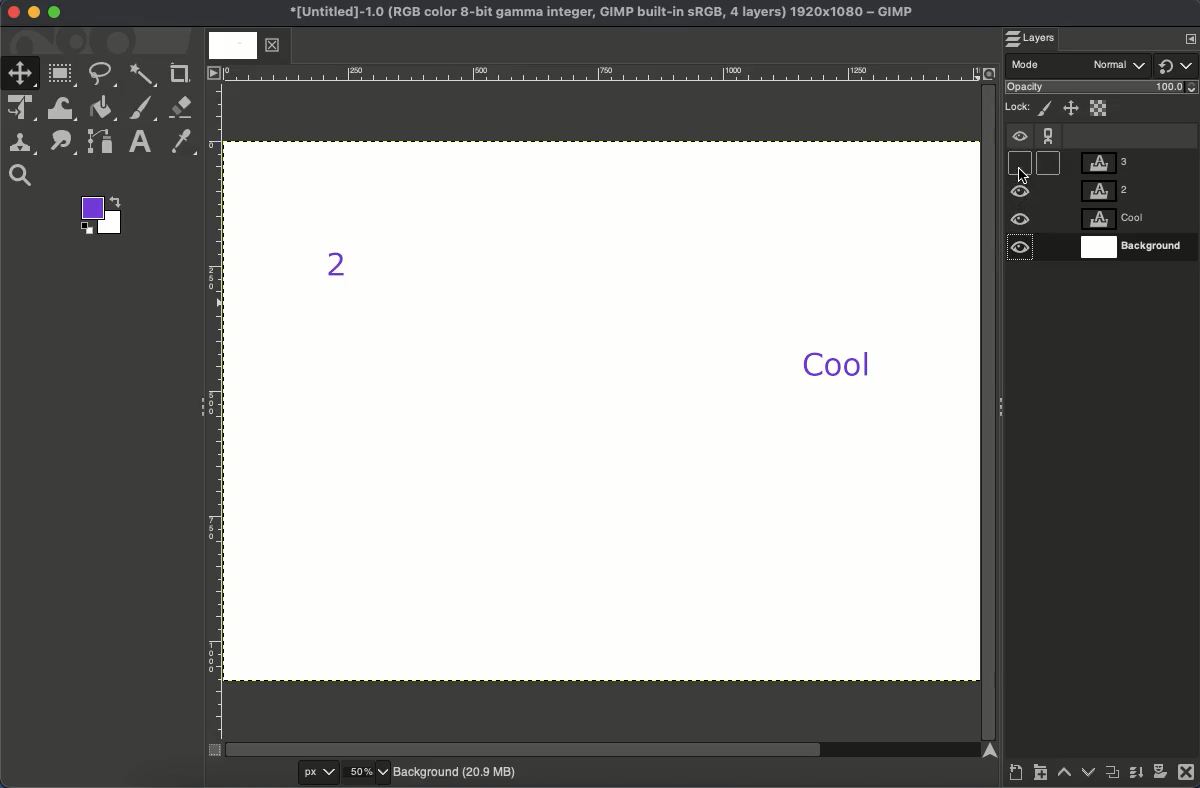 Image resolution: width=1200 pixels, height=788 pixels. I want to click on Ruler, so click(601, 73).